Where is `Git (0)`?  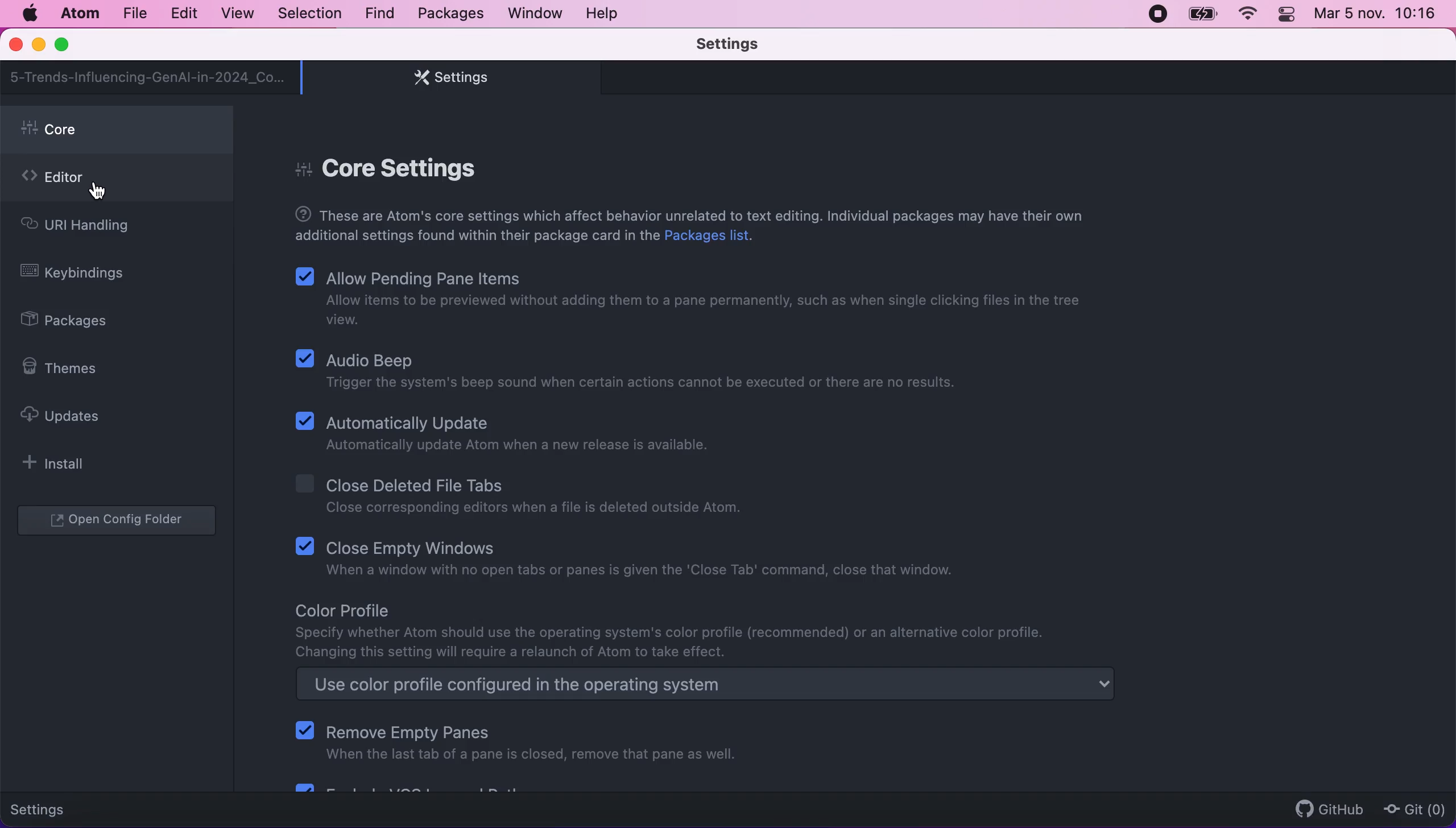
Git (0) is located at coordinates (1411, 809).